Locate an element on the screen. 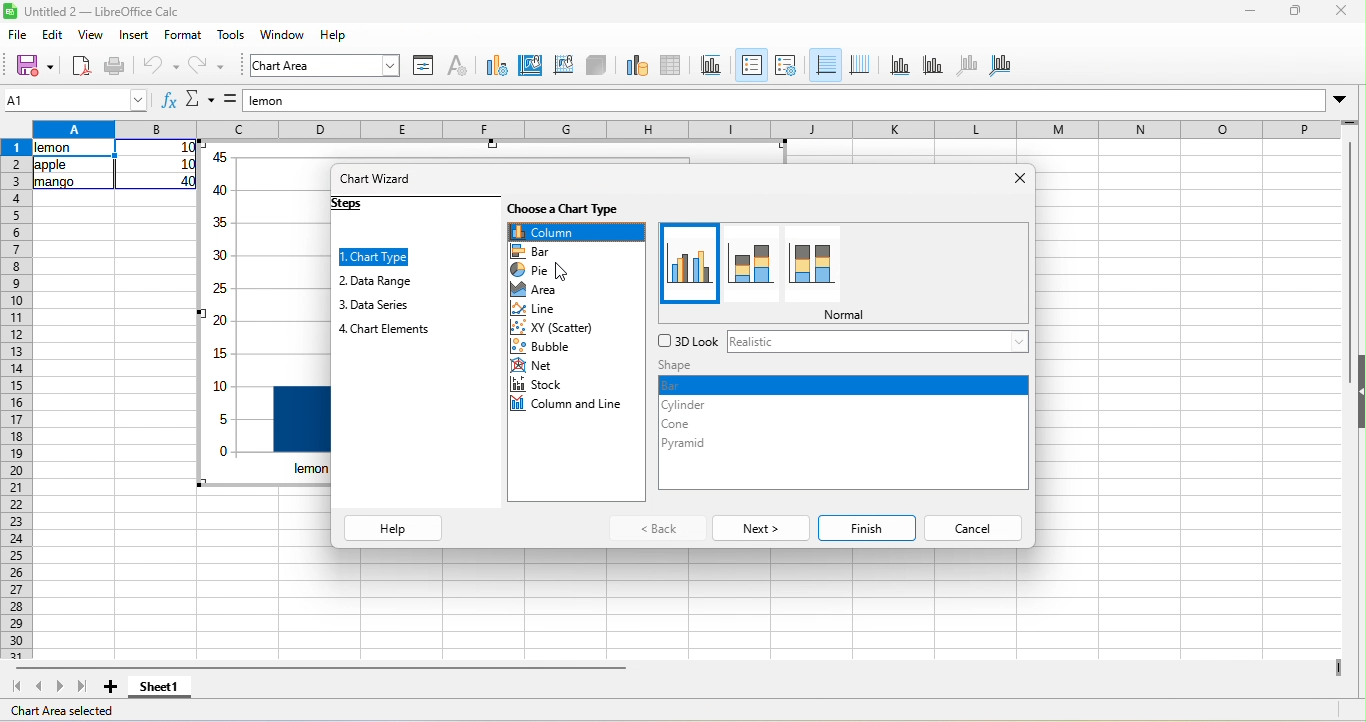 This screenshot has height=722, width=1366. sheet 1 is located at coordinates (169, 688).